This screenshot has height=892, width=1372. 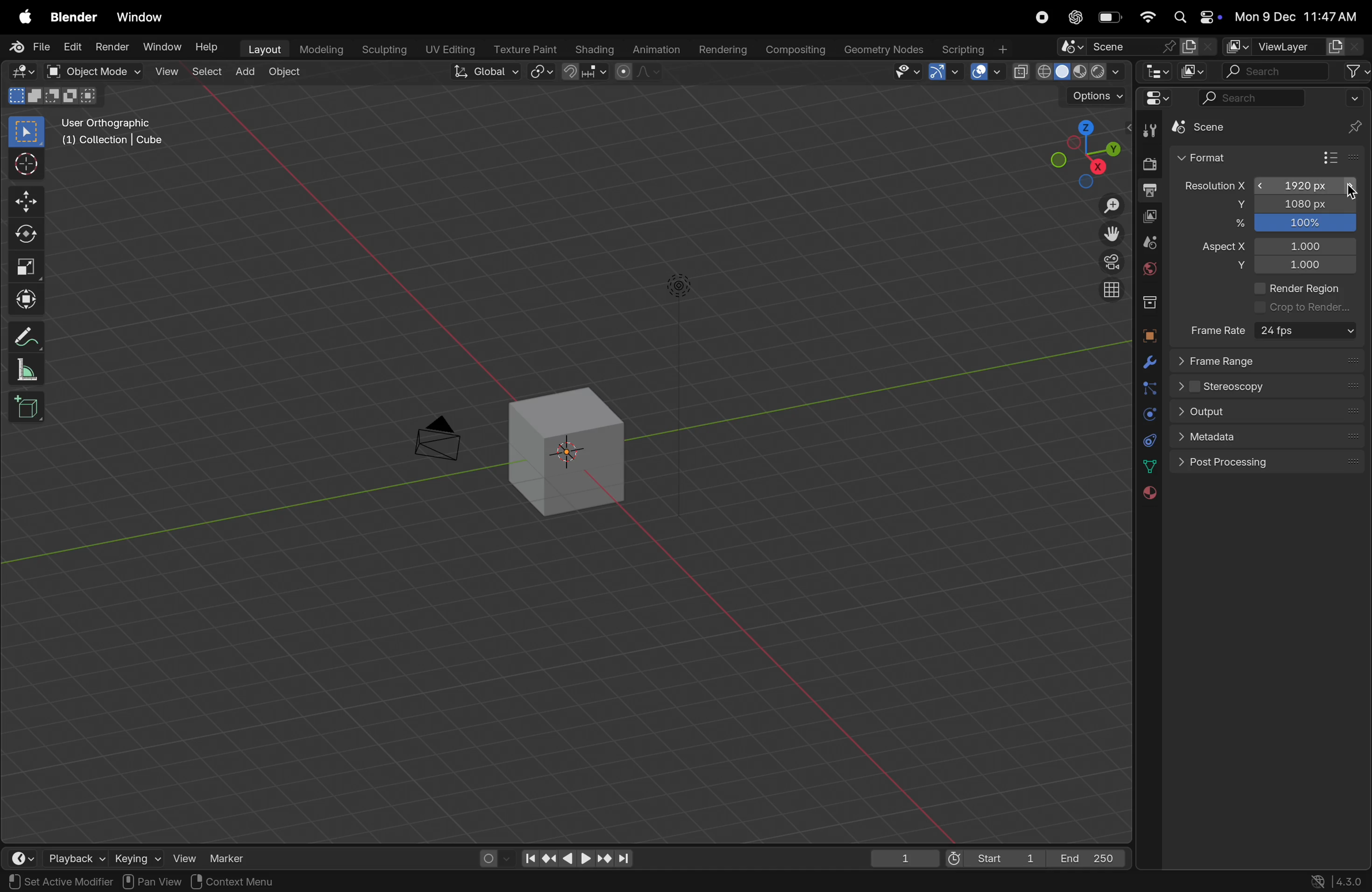 What do you see at coordinates (1150, 131) in the screenshot?
I see `tool` at bounding box center [1150, 131].